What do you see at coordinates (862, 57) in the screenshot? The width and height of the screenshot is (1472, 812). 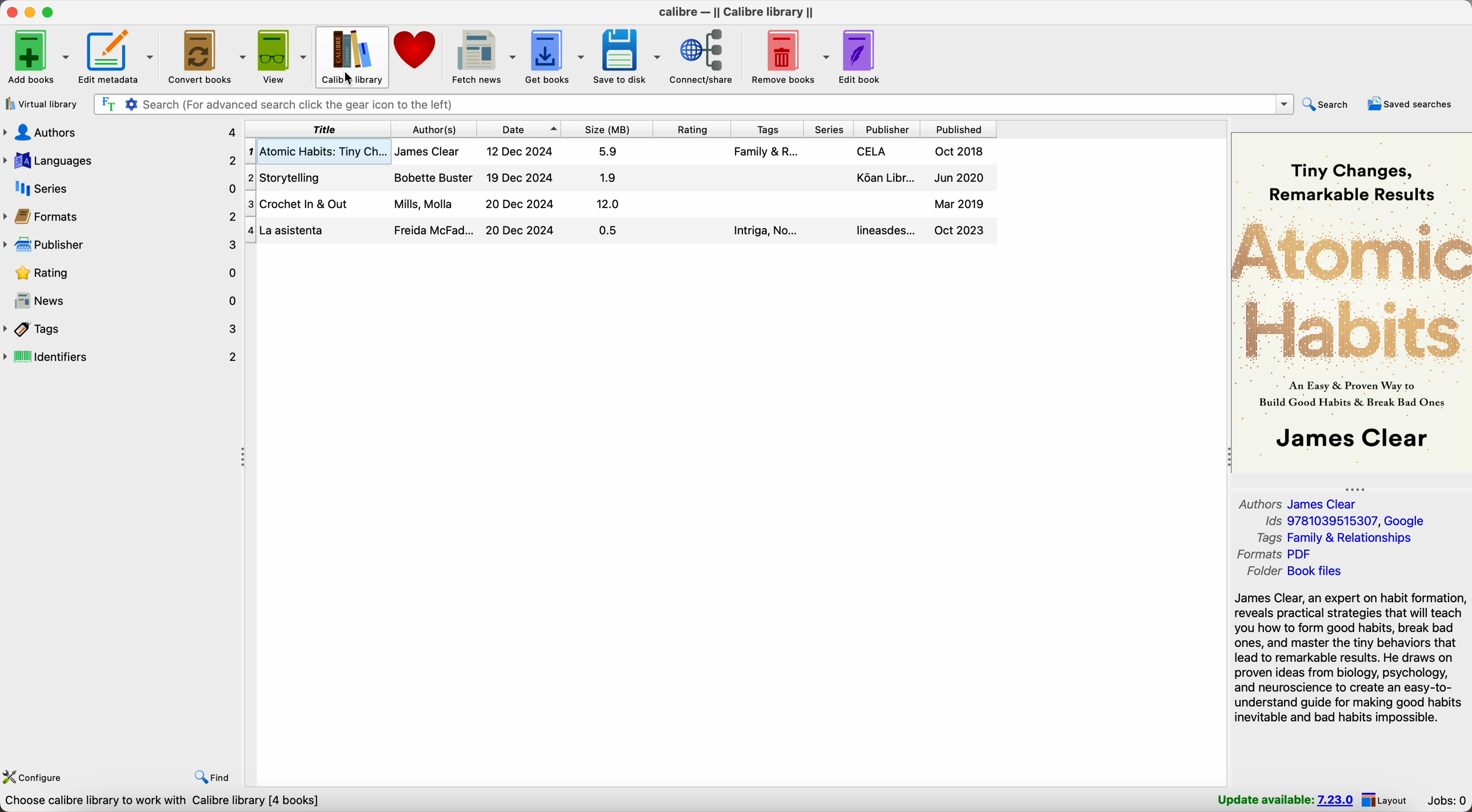 I see `edit book` at bounding box center [862, 57].